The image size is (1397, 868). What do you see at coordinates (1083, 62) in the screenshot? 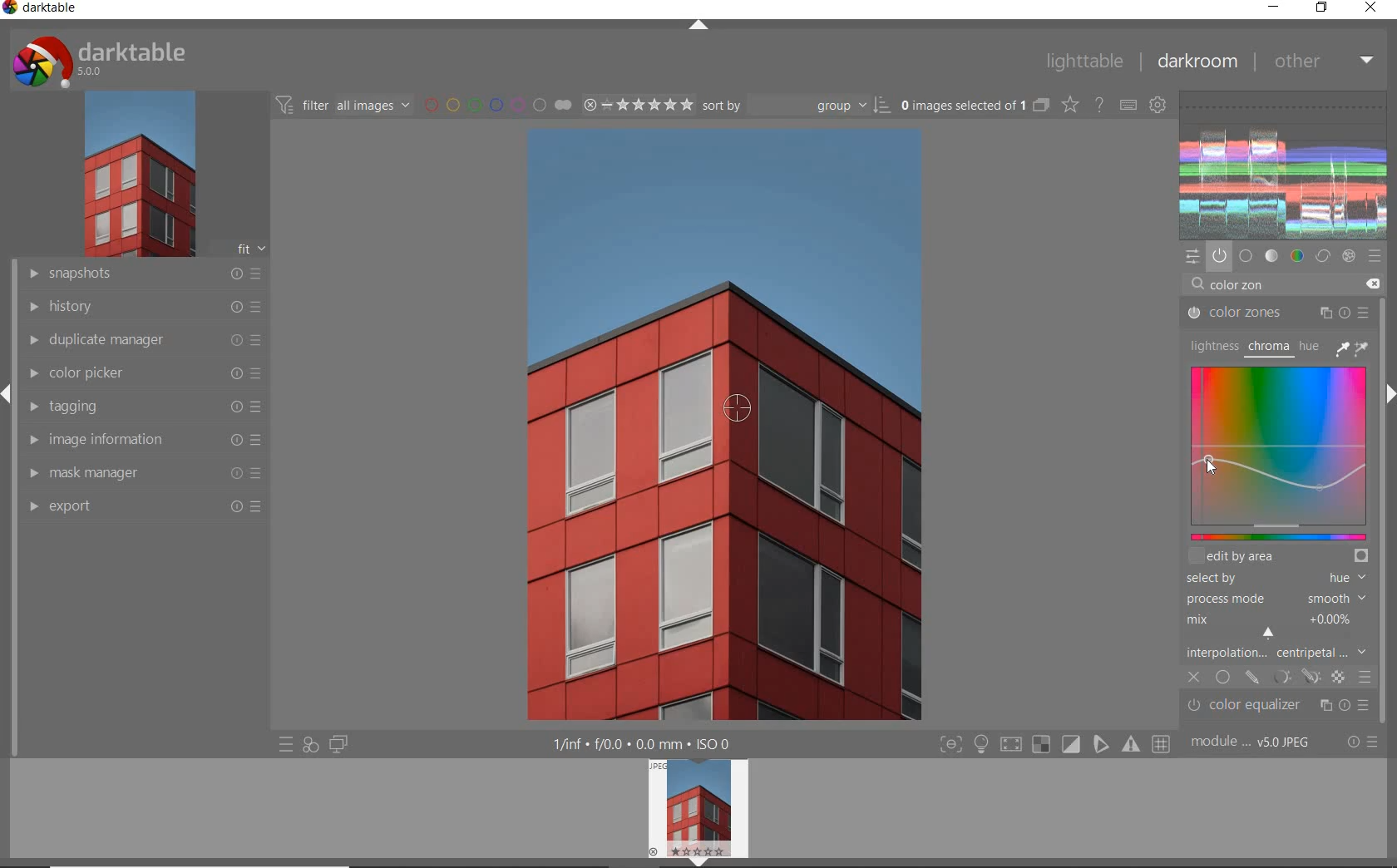
I see `lighttable` at bounding box center [1083, 62].